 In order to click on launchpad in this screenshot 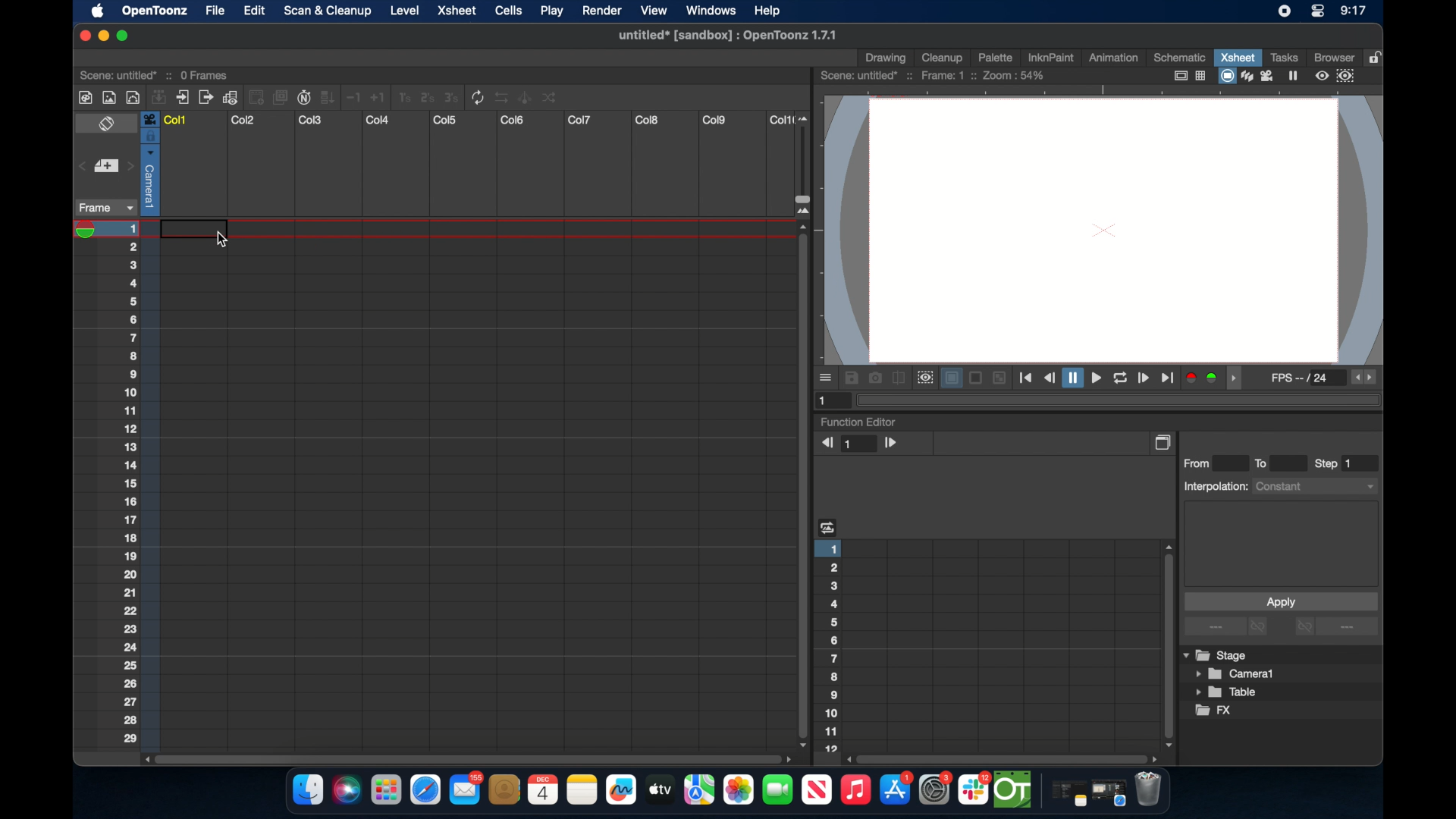, I will do `click(385, 792)`.